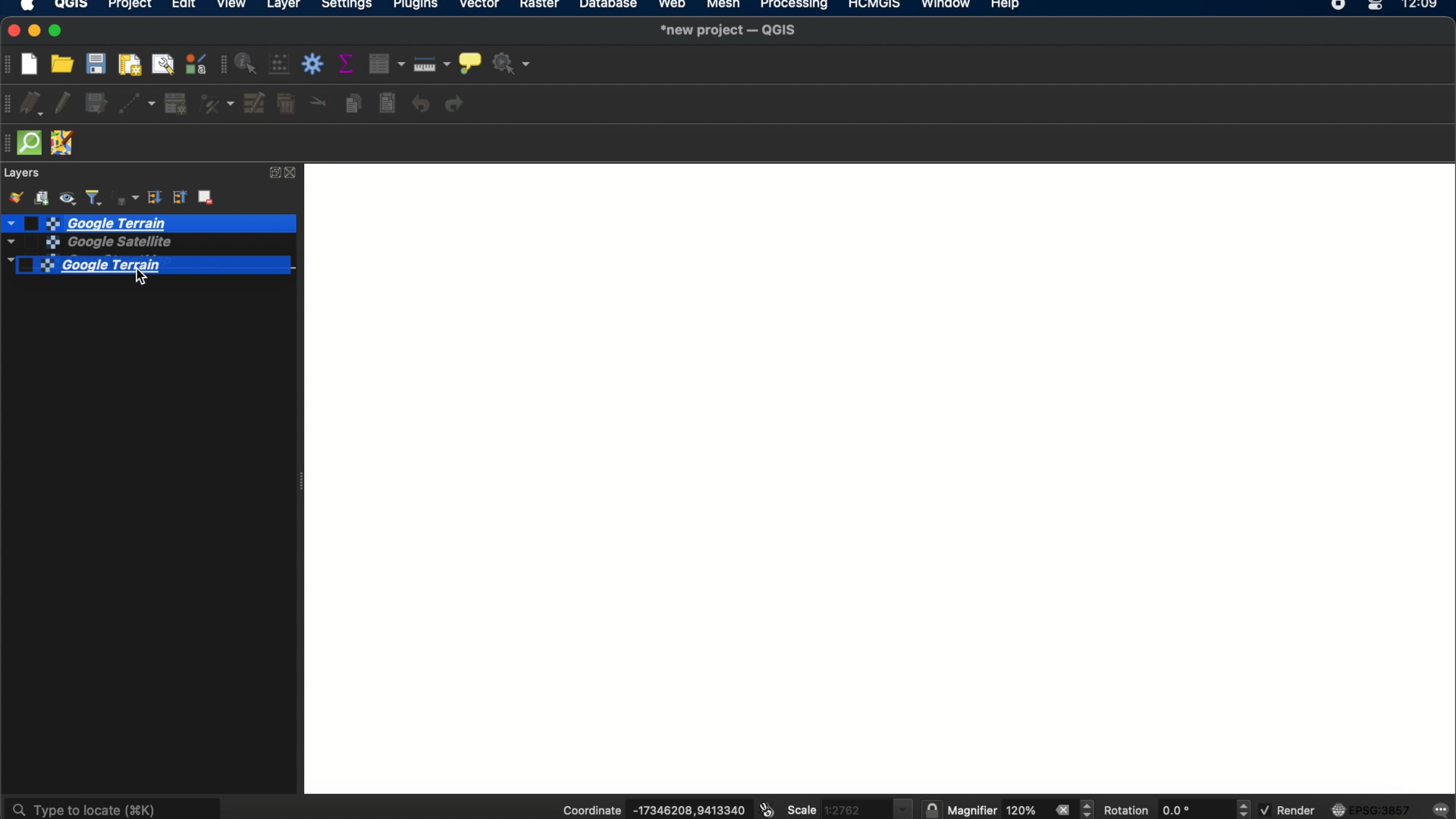  Describe the element at coordinates (349, 64) in the screenshot. I see `show summary statistics` at that location.